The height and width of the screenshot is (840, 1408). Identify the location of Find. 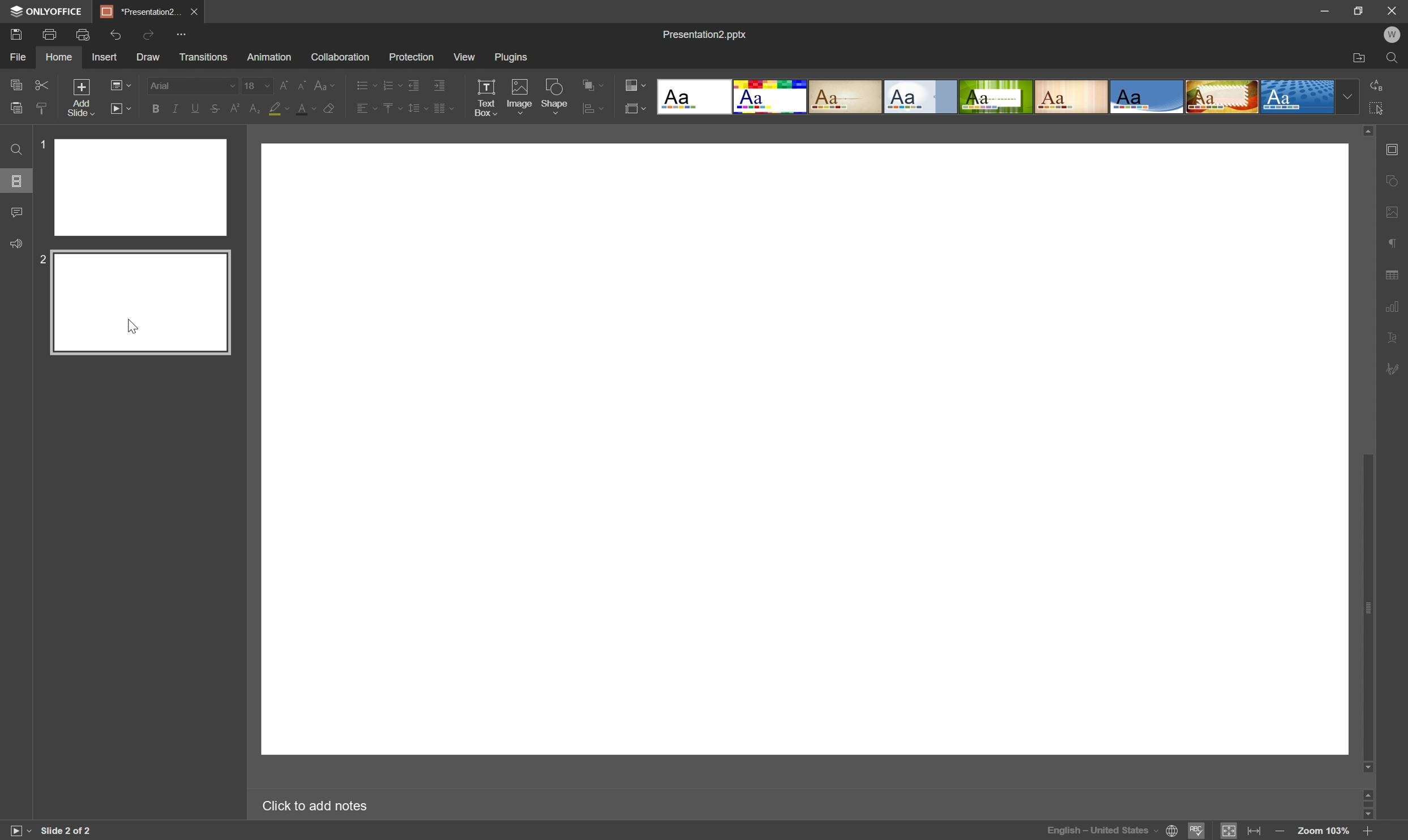
(1395, 57).